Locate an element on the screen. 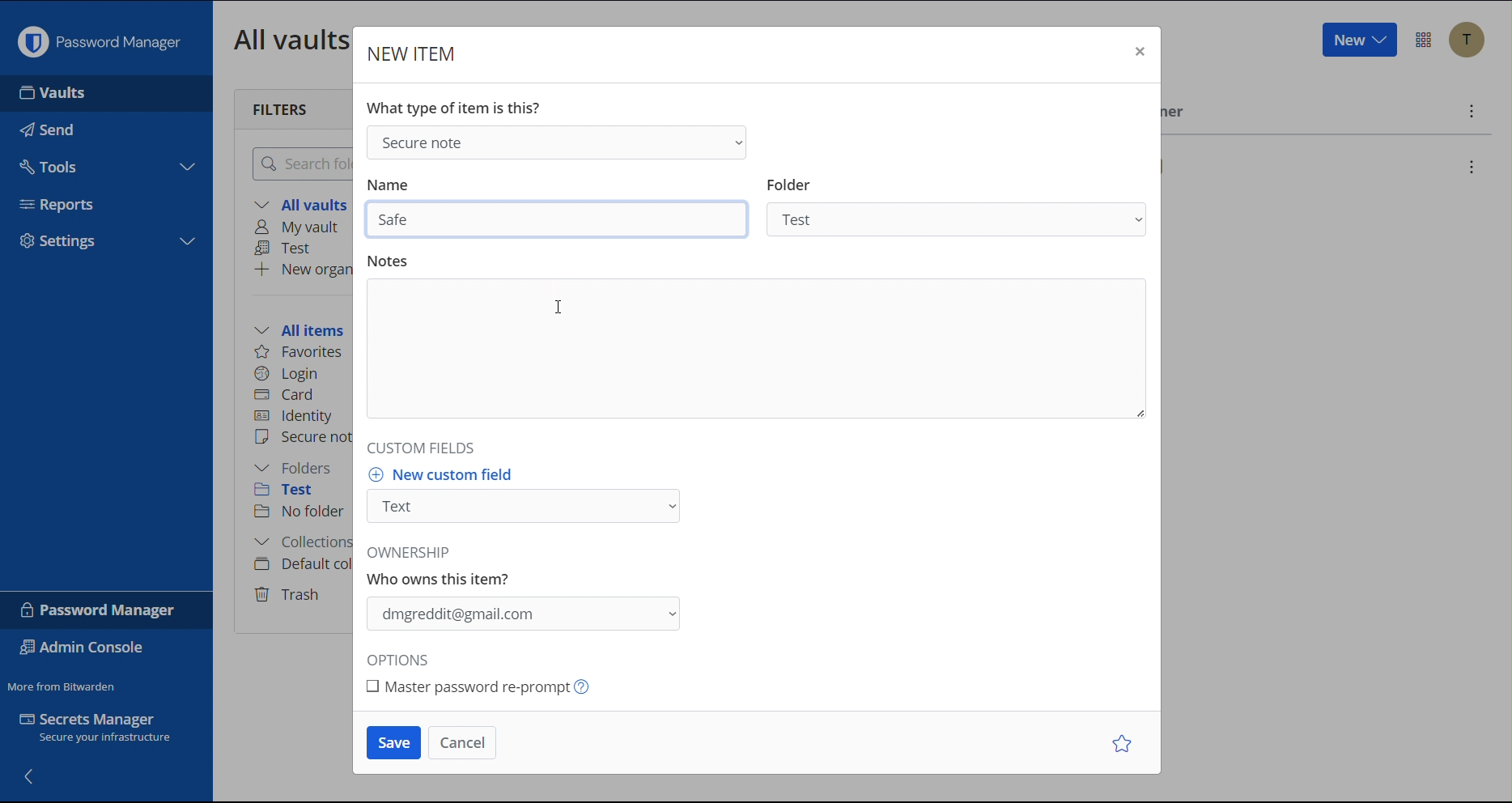 This screenshot has width=1512, height=803. New Item is located at coordinates (414, 53).